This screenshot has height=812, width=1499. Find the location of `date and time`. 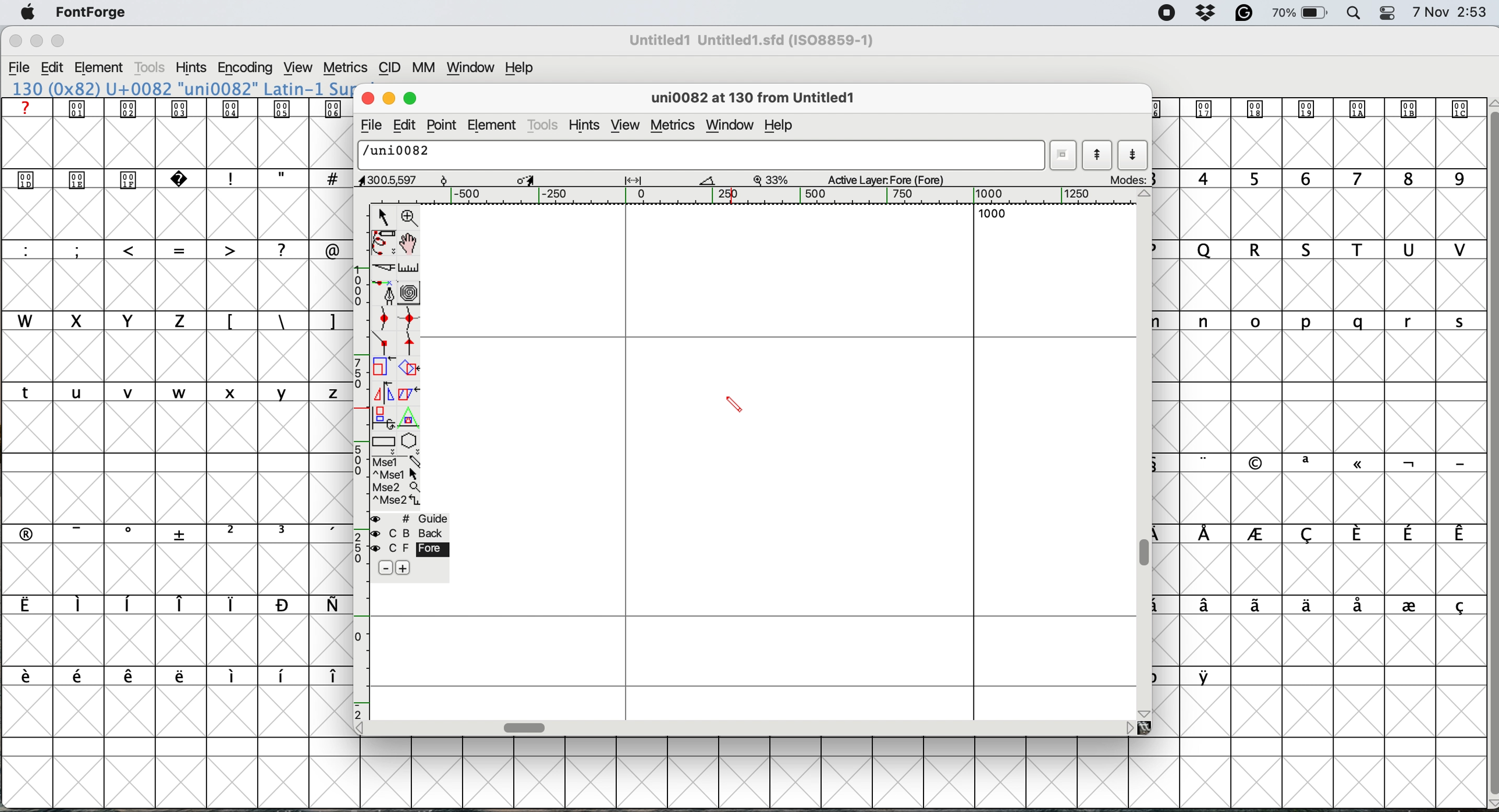

date and time is located at coordinates (1450, 13).